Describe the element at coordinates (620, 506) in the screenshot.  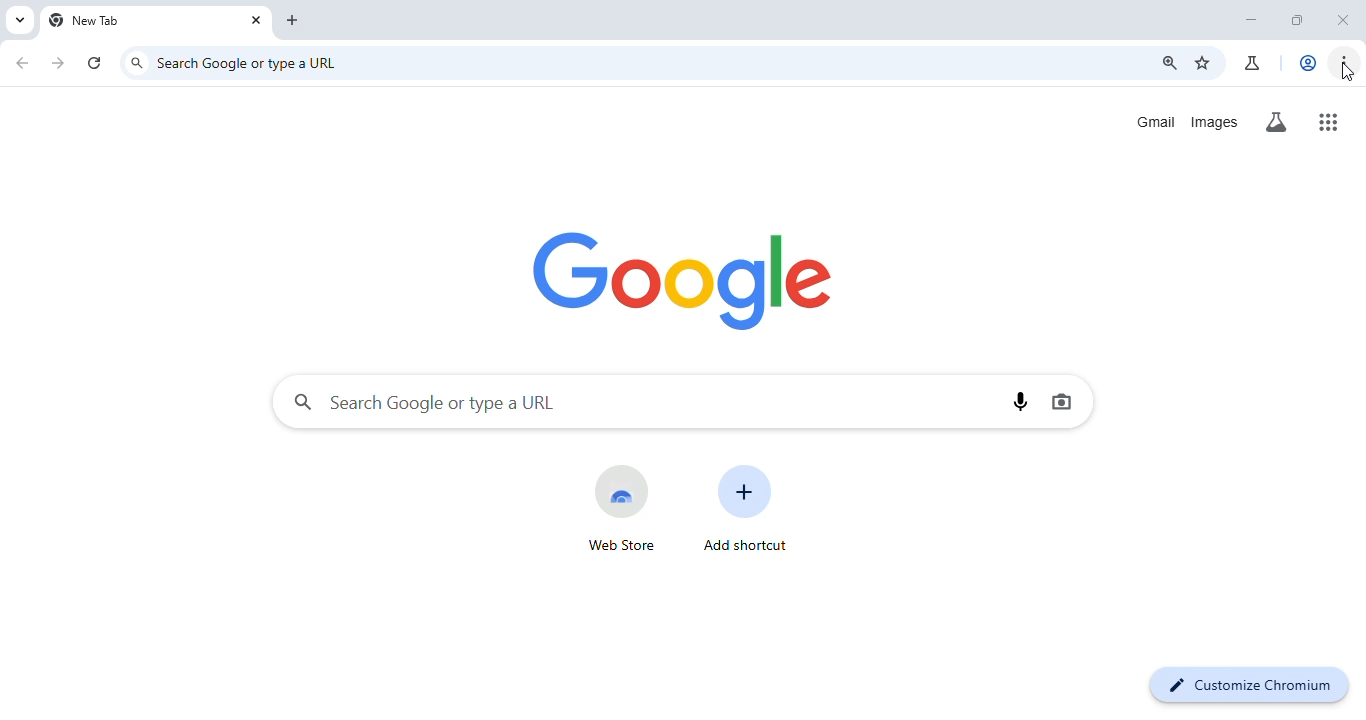
I see `web store` at that location.